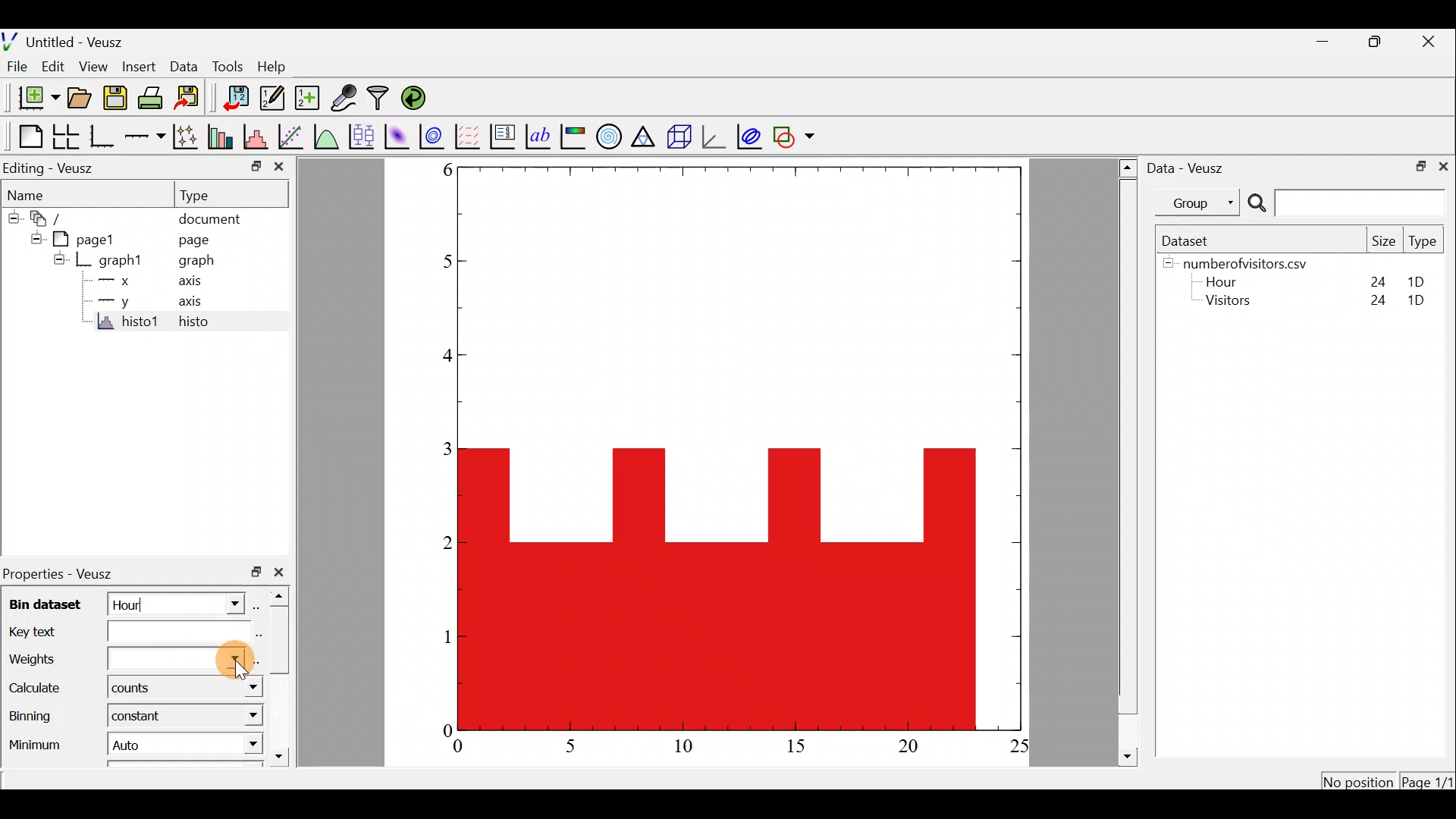 The height and width of the screenshot is (819, 1456). I want to click on counts, so click(136, 690).